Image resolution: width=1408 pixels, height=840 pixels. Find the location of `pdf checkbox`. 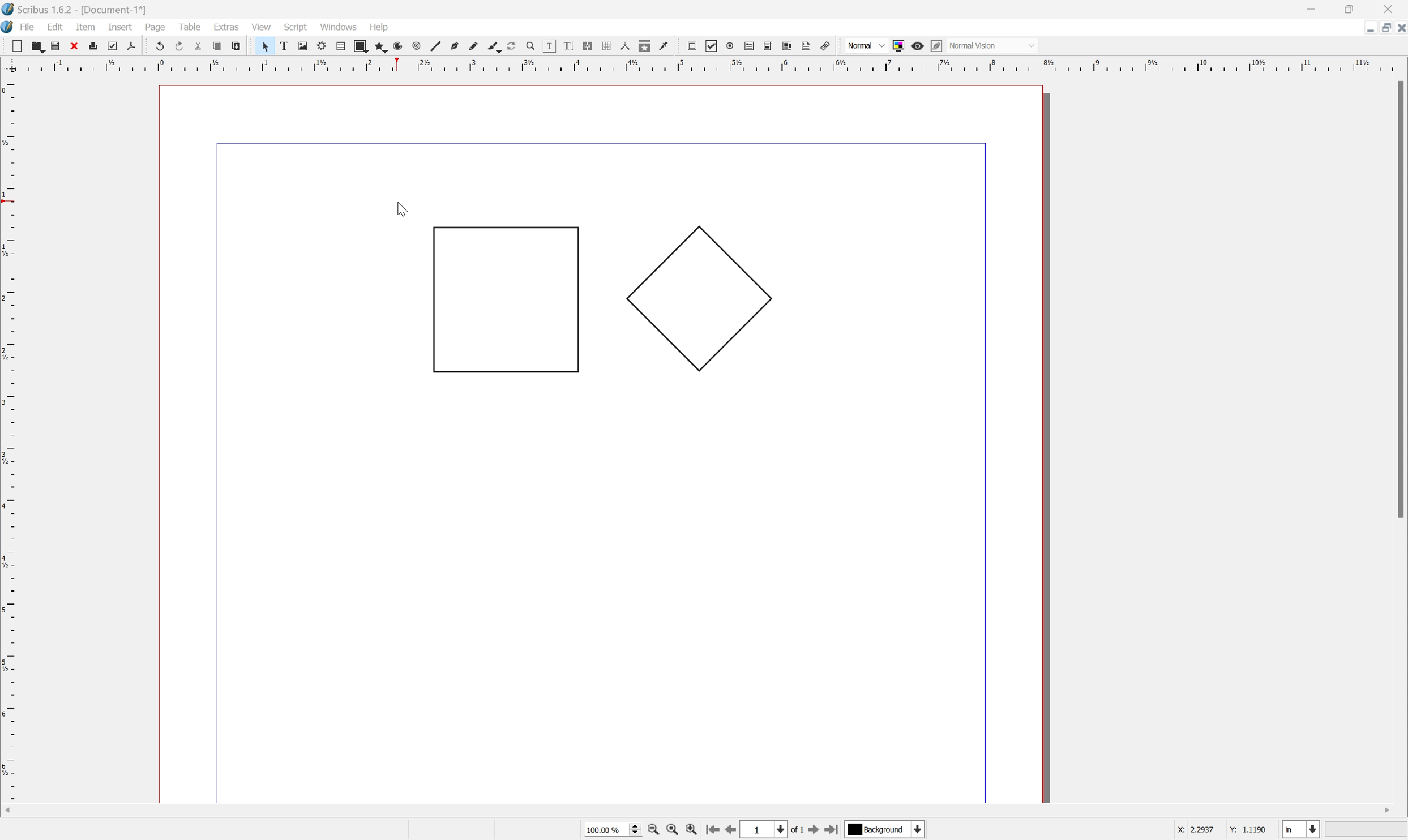

pdf checkbox is located at coordinates (711, 46).